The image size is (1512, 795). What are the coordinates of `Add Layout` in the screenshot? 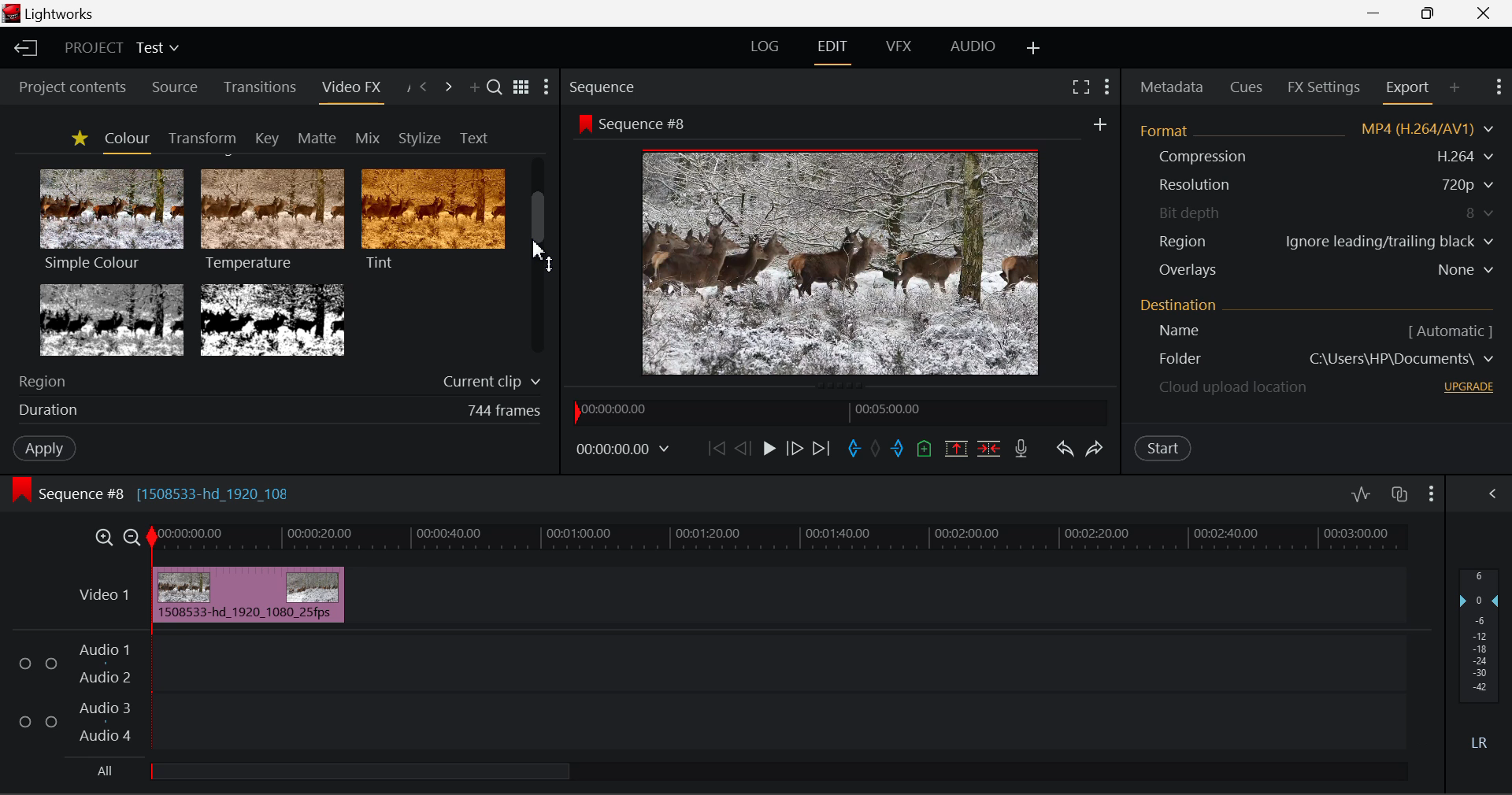 It's located at (1033, 48).